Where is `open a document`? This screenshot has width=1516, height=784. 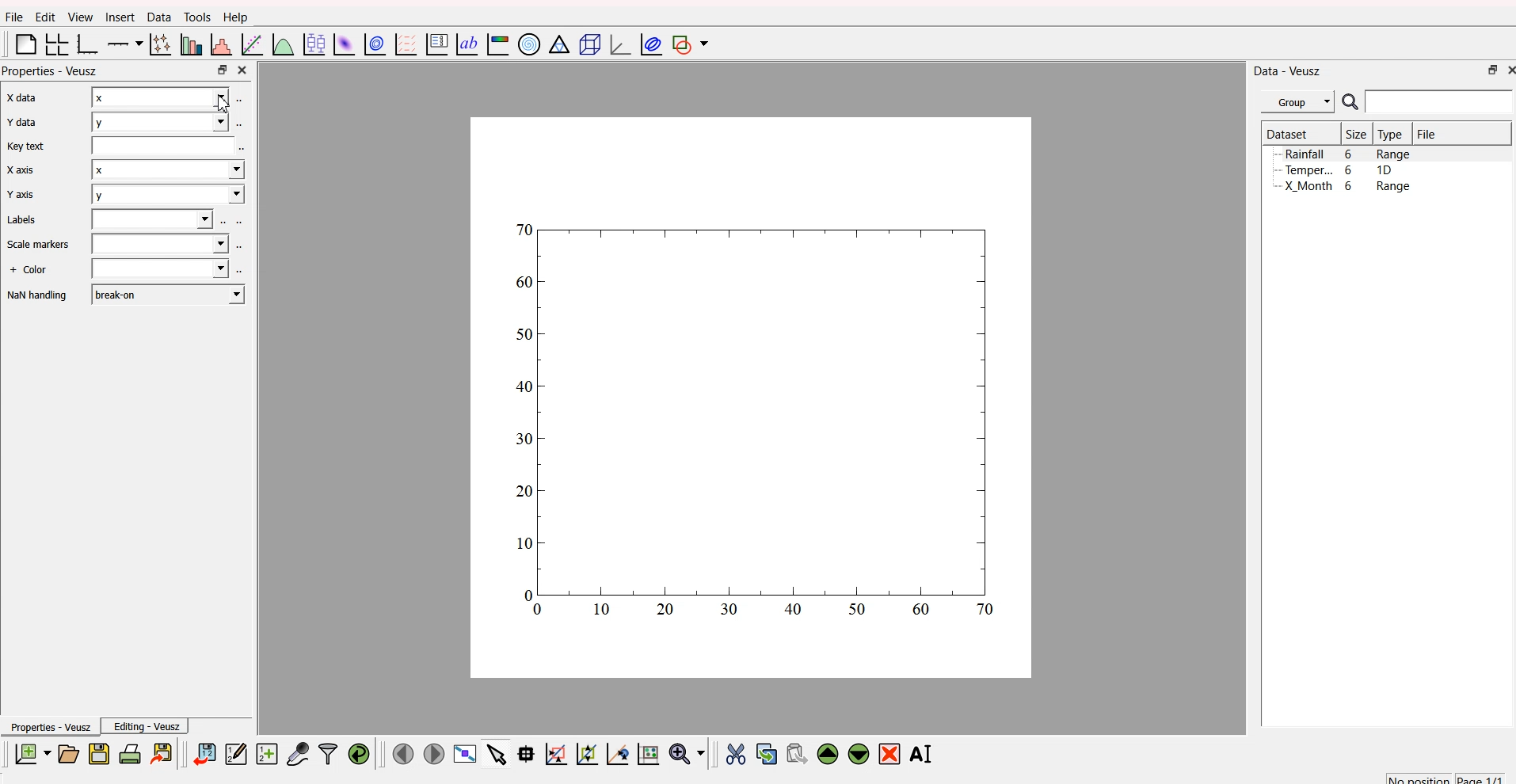 open a document is located at coordinates (67, 752).